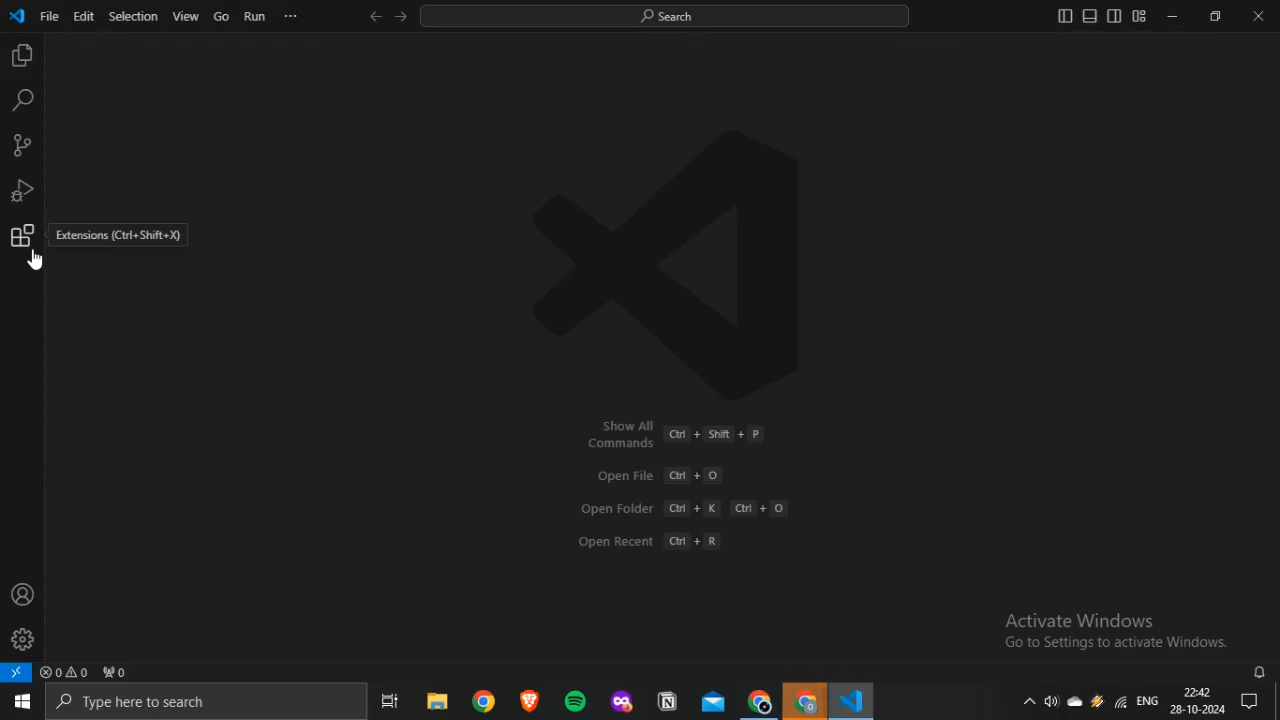 The image size is (1280, 720). I want to click on more options, so click(290, 15).